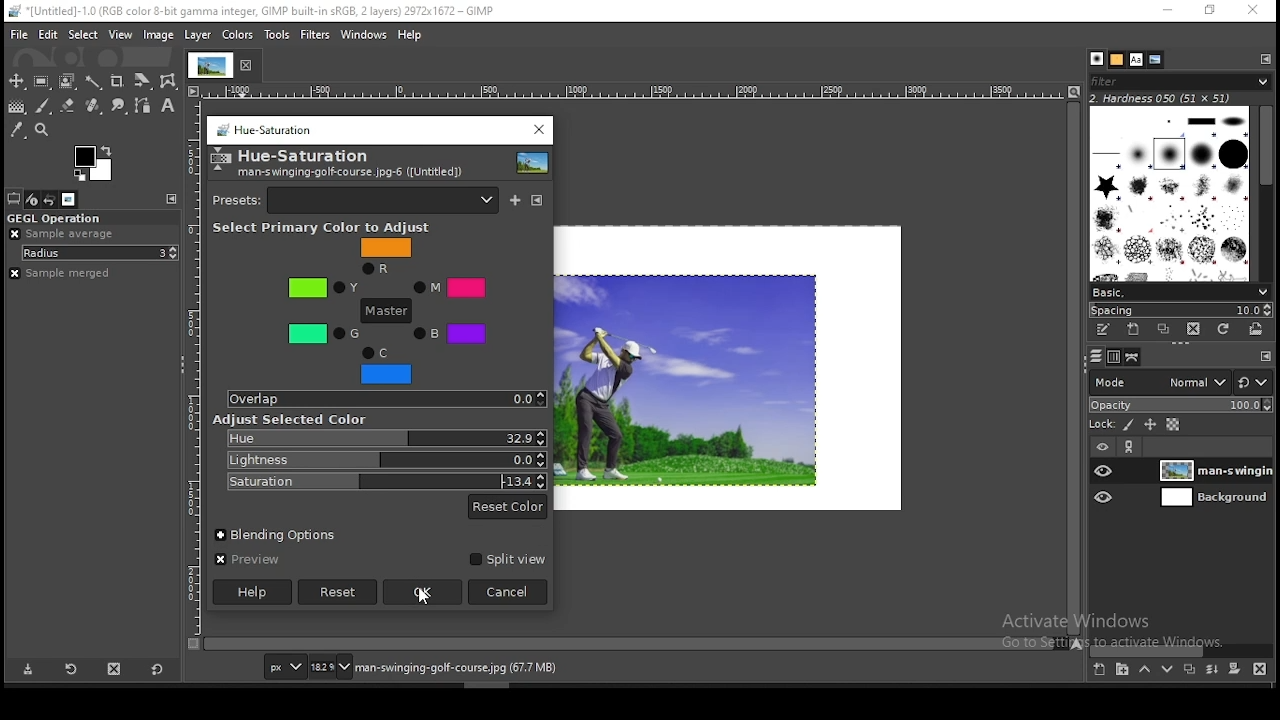 The image size is (1280, 720). Describe the element at coordinates (1169, 194) in the screenshot. I see `brushes` at that location.